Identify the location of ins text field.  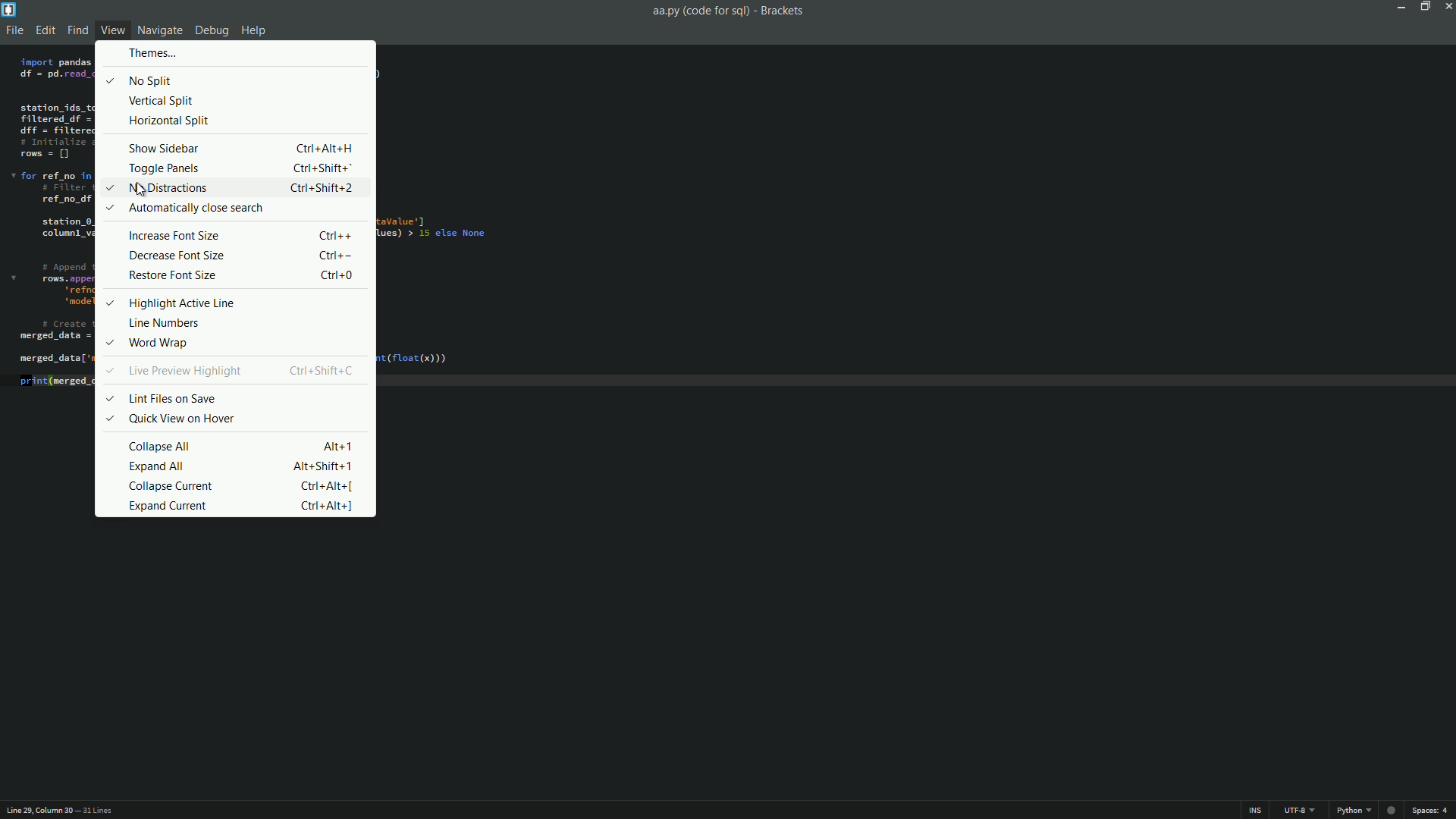
(1255, 810).